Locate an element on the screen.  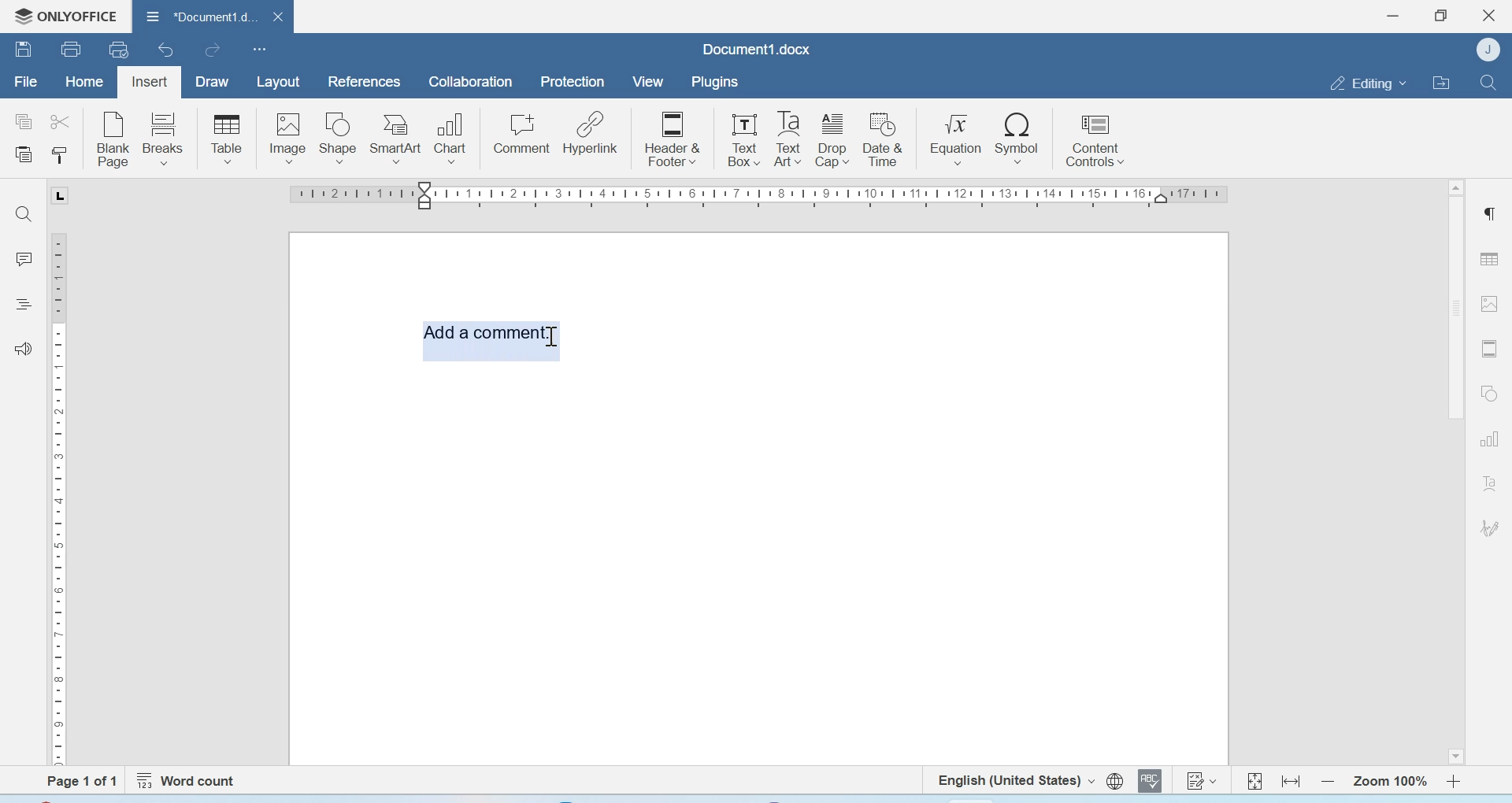
Text is located at coordinates (1490, 483).